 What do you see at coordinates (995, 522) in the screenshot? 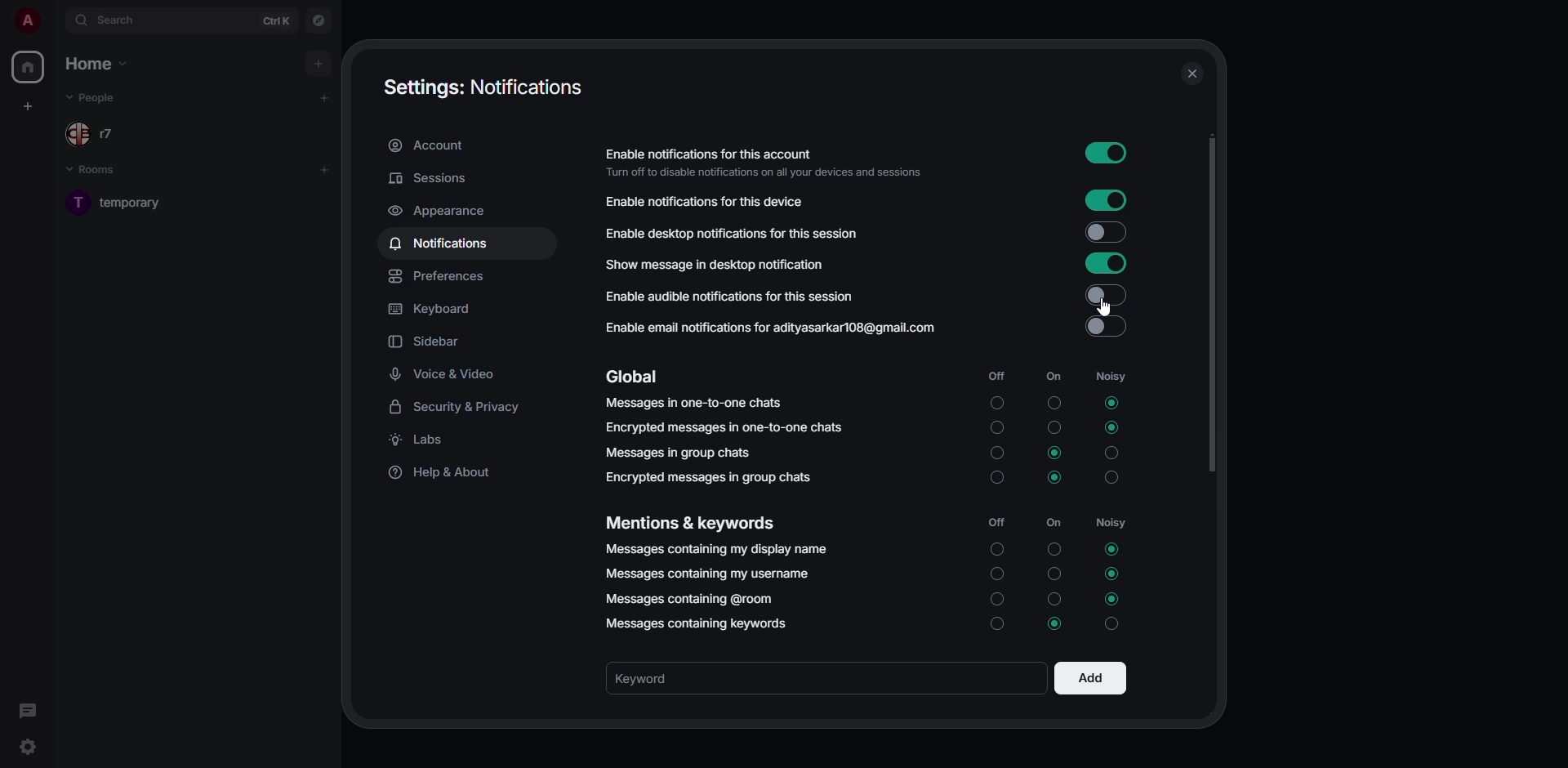
I see `off` at bounding box center [995, 522].